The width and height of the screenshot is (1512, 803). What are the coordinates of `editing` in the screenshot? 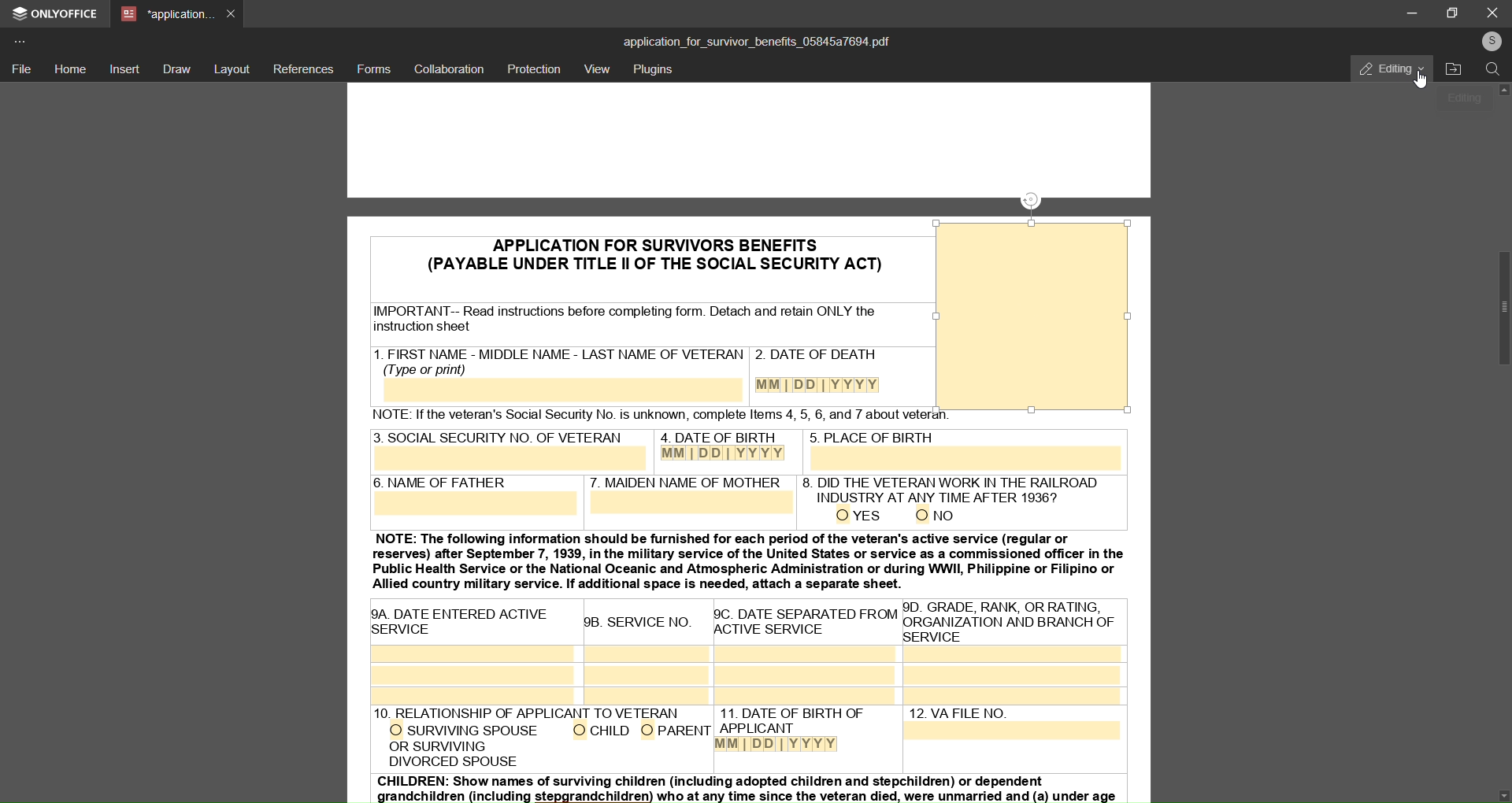 It's located at (1382, 68).